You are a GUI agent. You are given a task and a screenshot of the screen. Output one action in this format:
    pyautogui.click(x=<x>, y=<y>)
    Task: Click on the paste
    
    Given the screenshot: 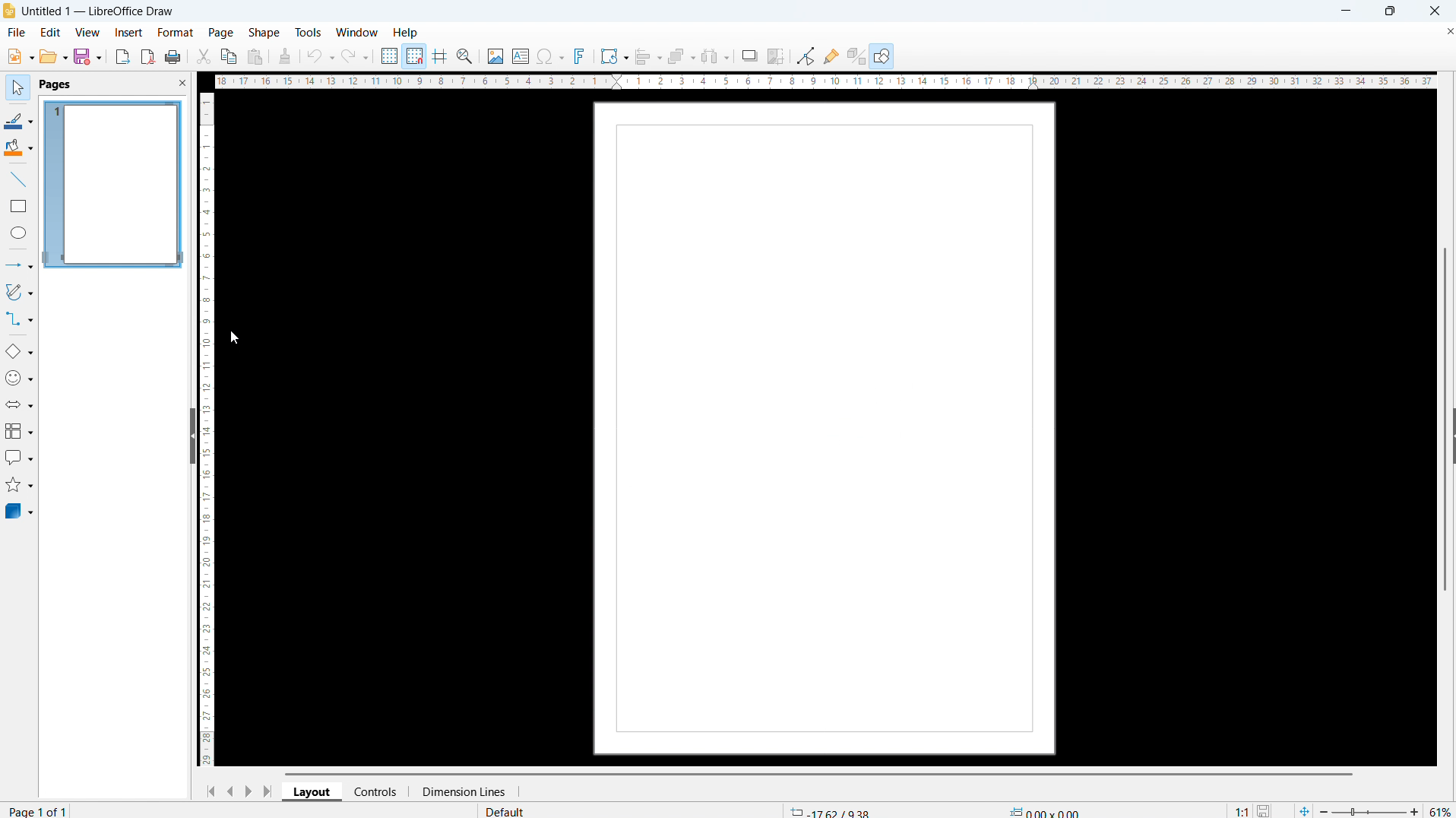 What is the action you would take?
    pyautogui.click(x=255, y=57)
    